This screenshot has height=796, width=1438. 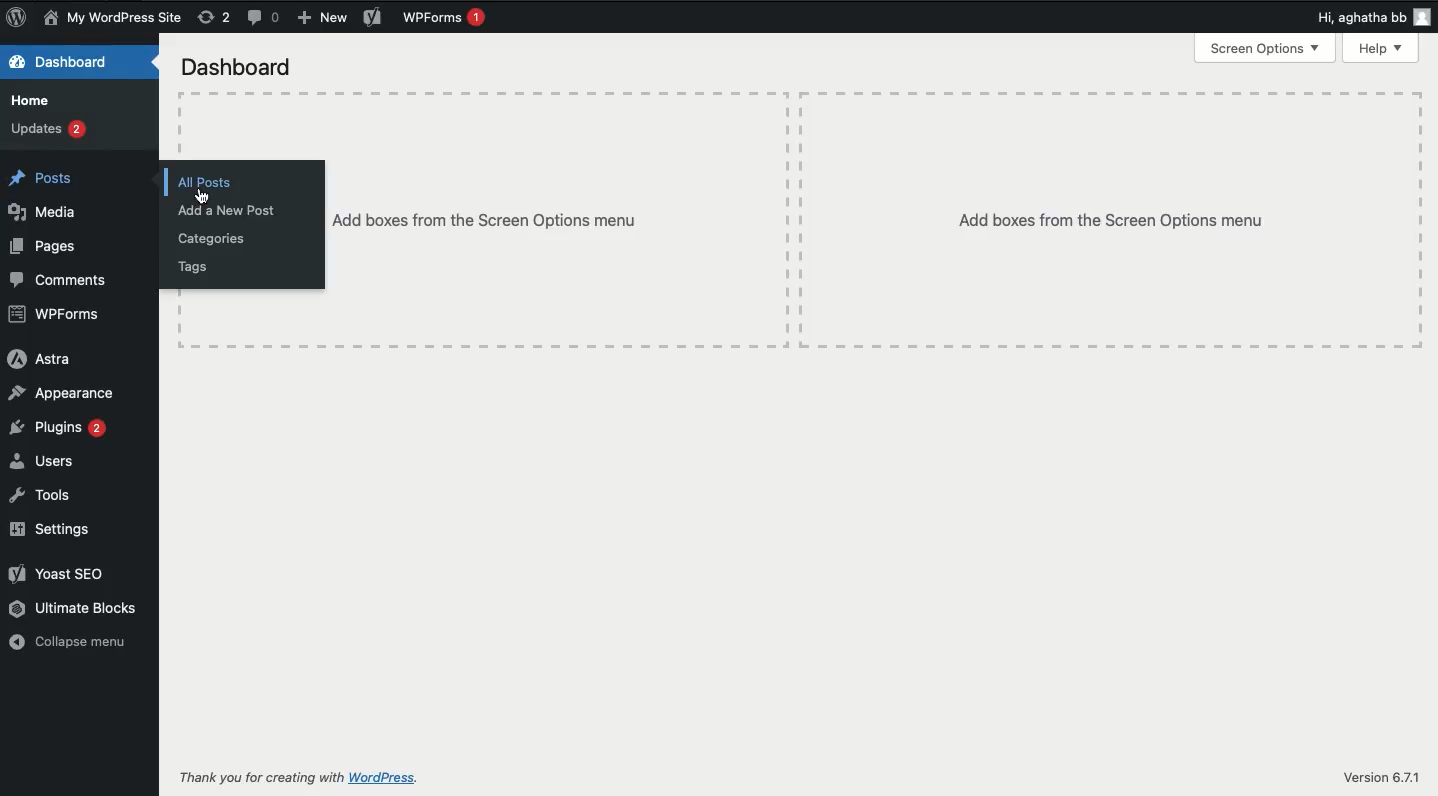 What do you see at coordinates (264, 18) in the screenshot?
I see `Comments` at bounding box center [264, 18].